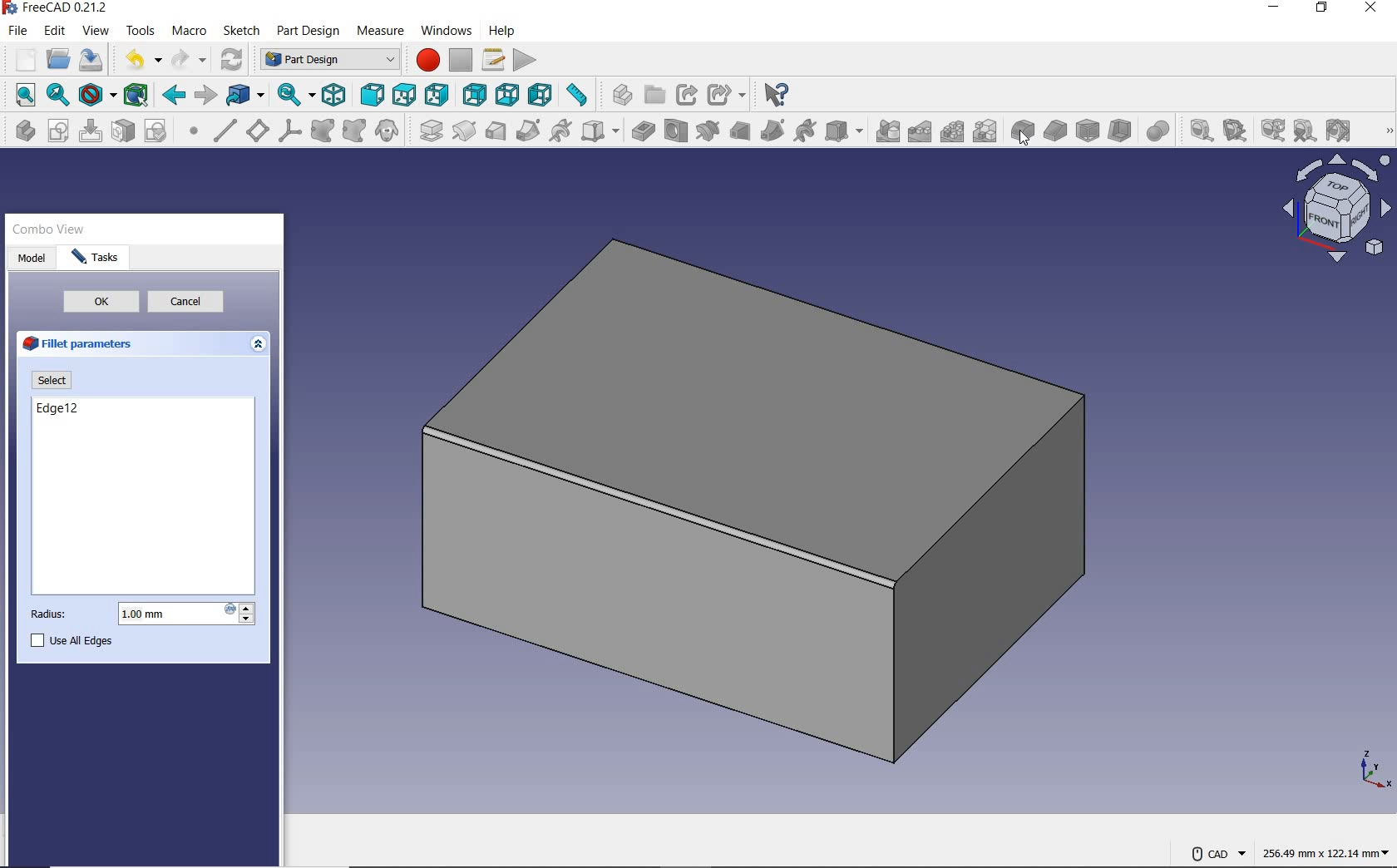 This screenshot has height=868, width=1397. What do you see at coordinates (771, 131) in the screenshot?
I see `subtractive pipes` at bounding box center [771, 131].